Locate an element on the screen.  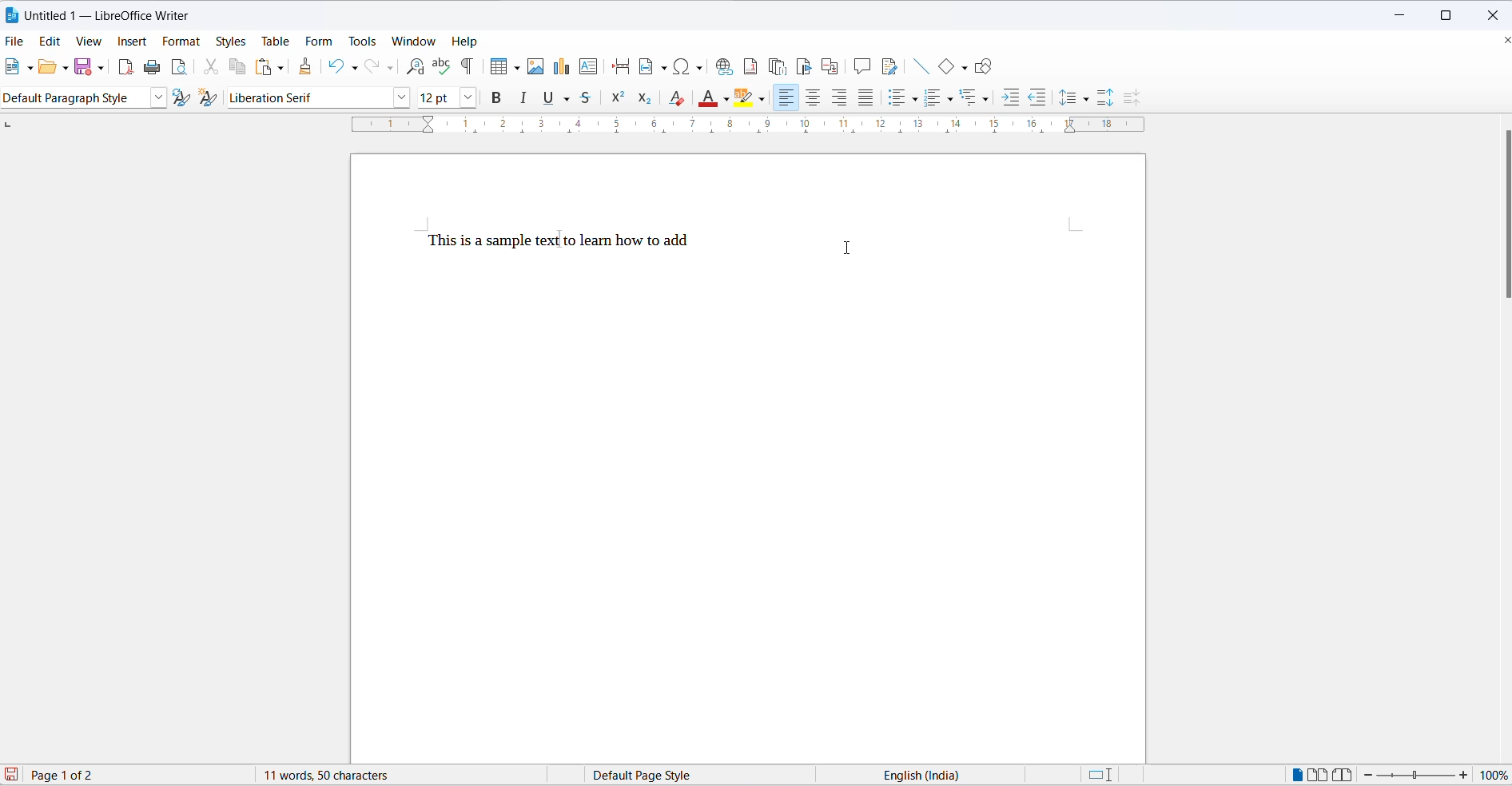
new file options is located at coordinates (30, 69).